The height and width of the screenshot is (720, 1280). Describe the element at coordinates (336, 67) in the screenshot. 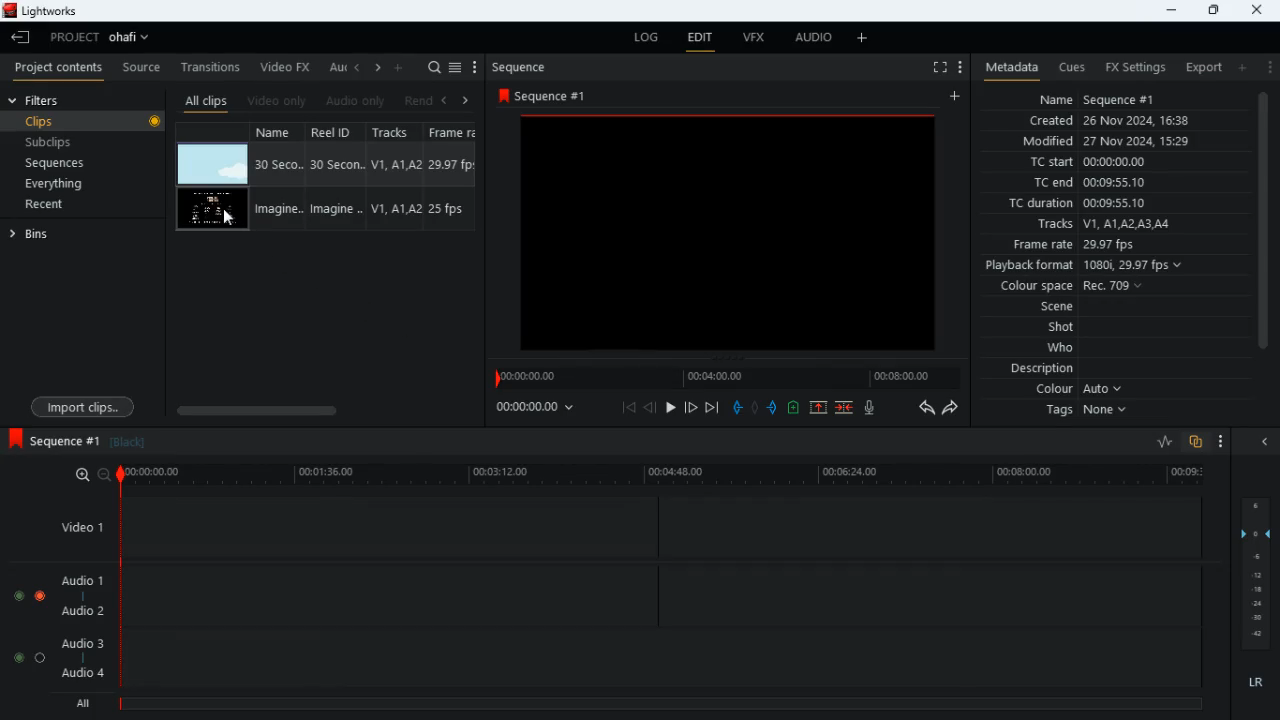

I see `au` at that location.